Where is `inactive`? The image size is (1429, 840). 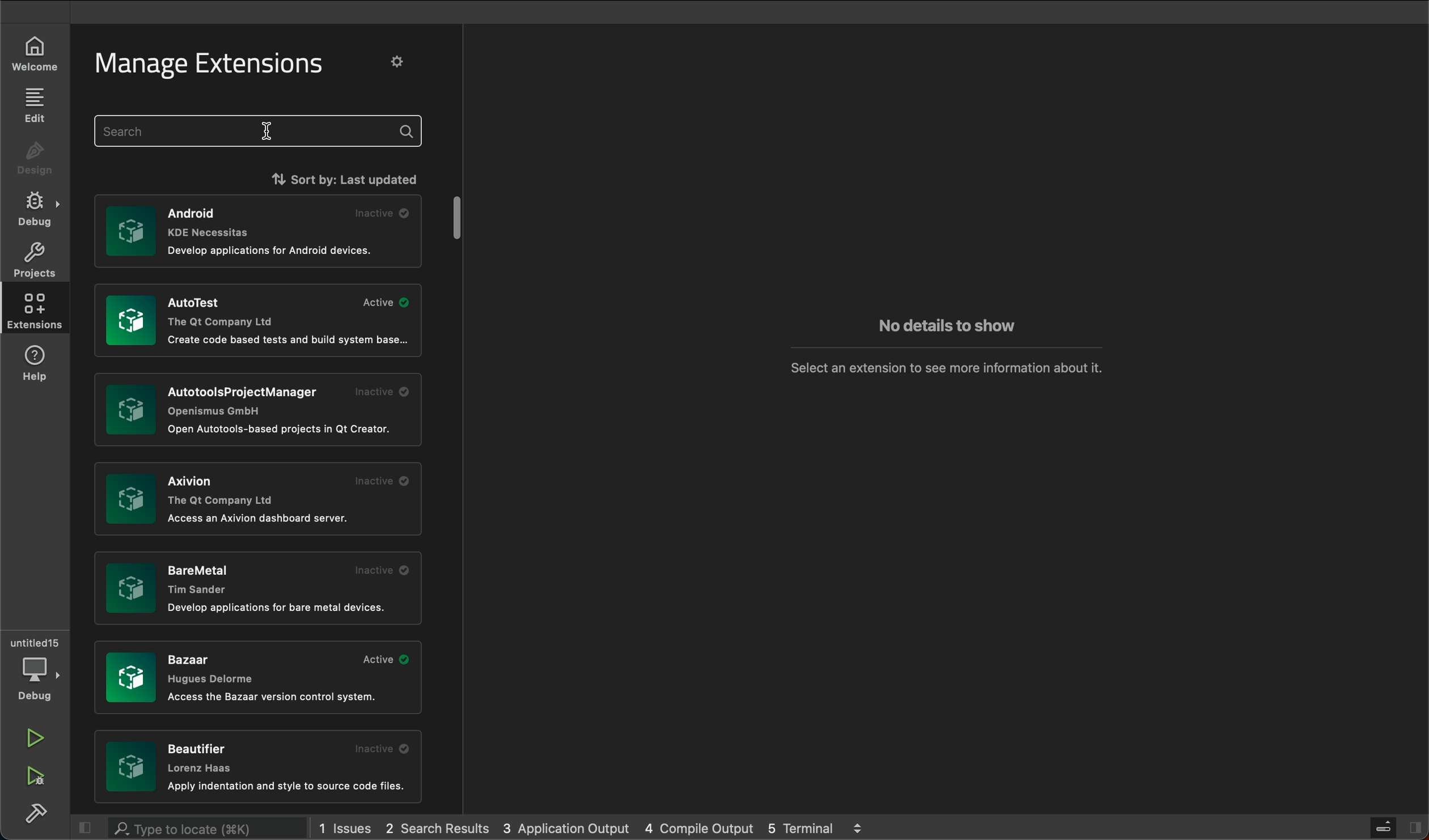
inactive is located at coordinates (380, 480).